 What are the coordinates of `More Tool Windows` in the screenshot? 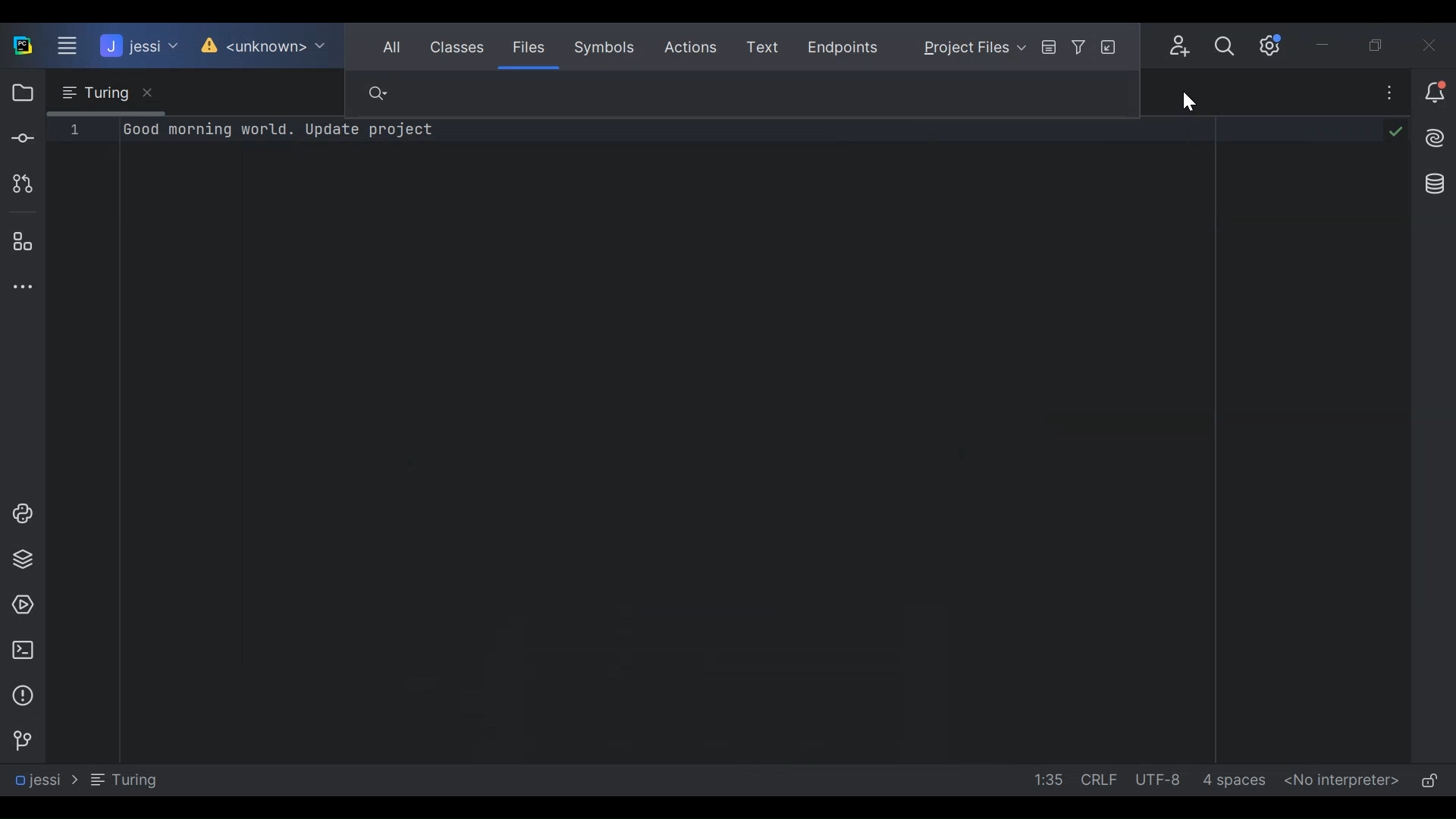 It's located at (20, 287).